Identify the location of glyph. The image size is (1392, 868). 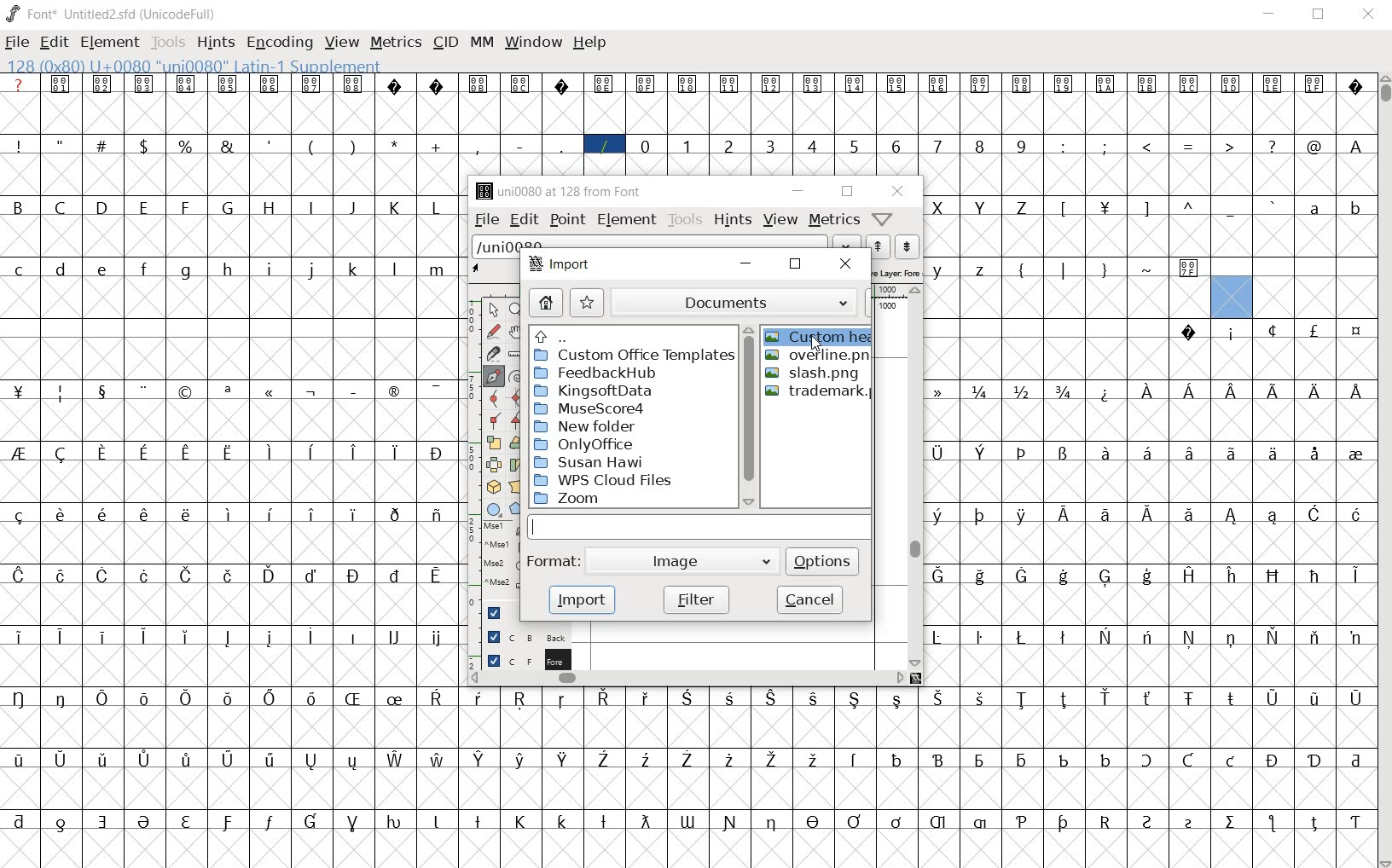
(1355, 699).